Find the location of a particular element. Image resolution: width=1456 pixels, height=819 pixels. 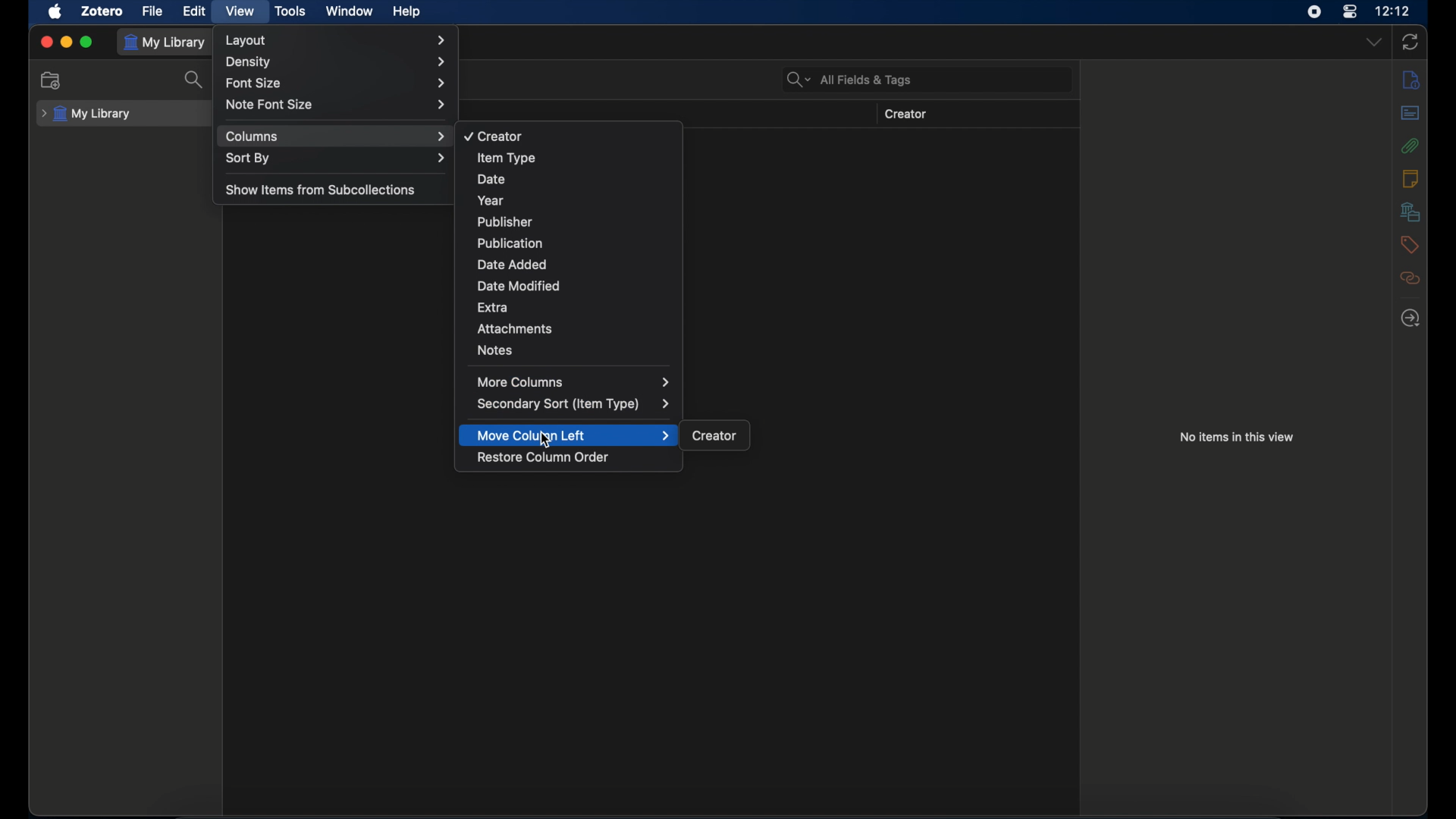

date is located at coordinates (491, 180).